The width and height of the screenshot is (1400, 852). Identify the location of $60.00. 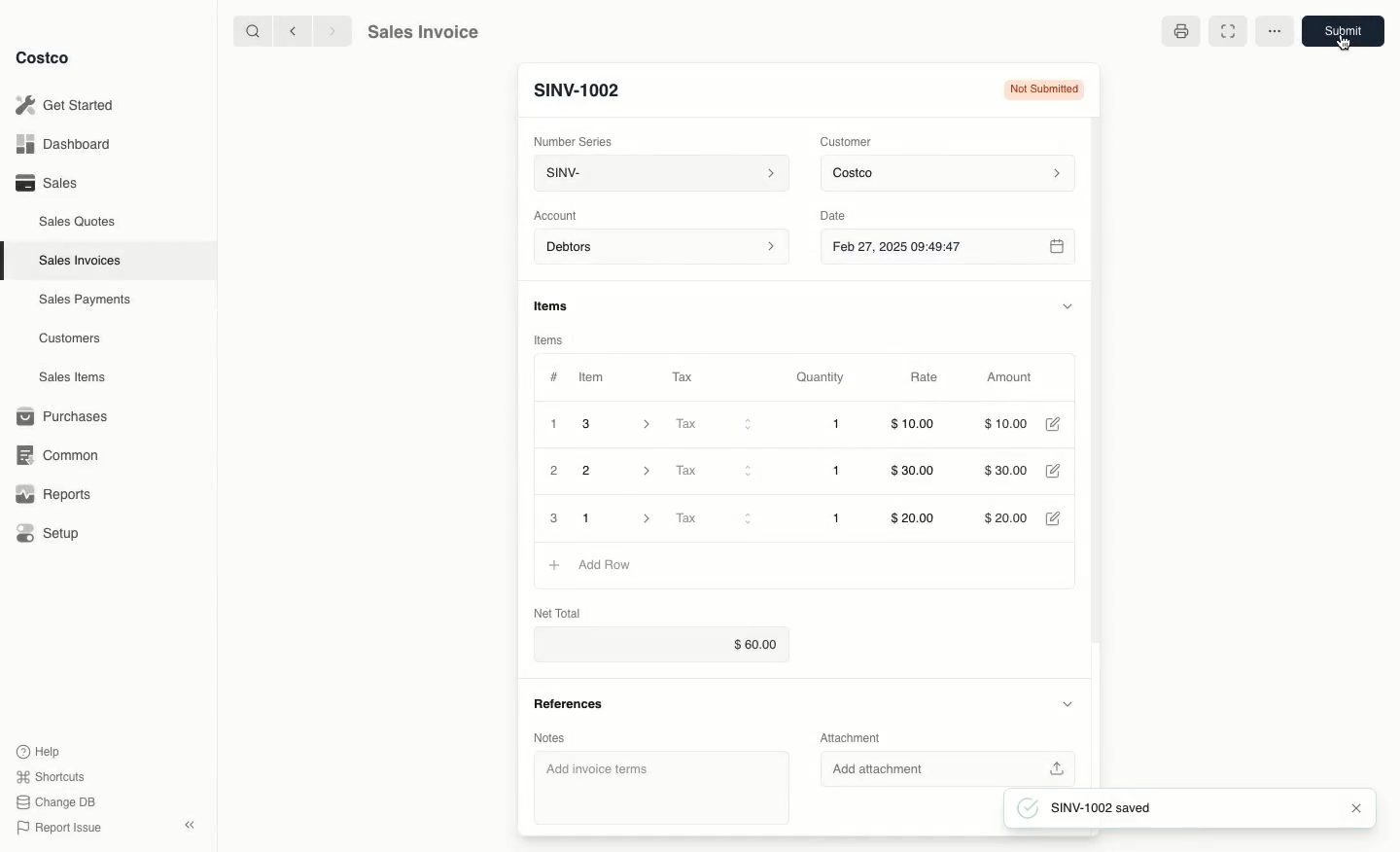
(671, 645).